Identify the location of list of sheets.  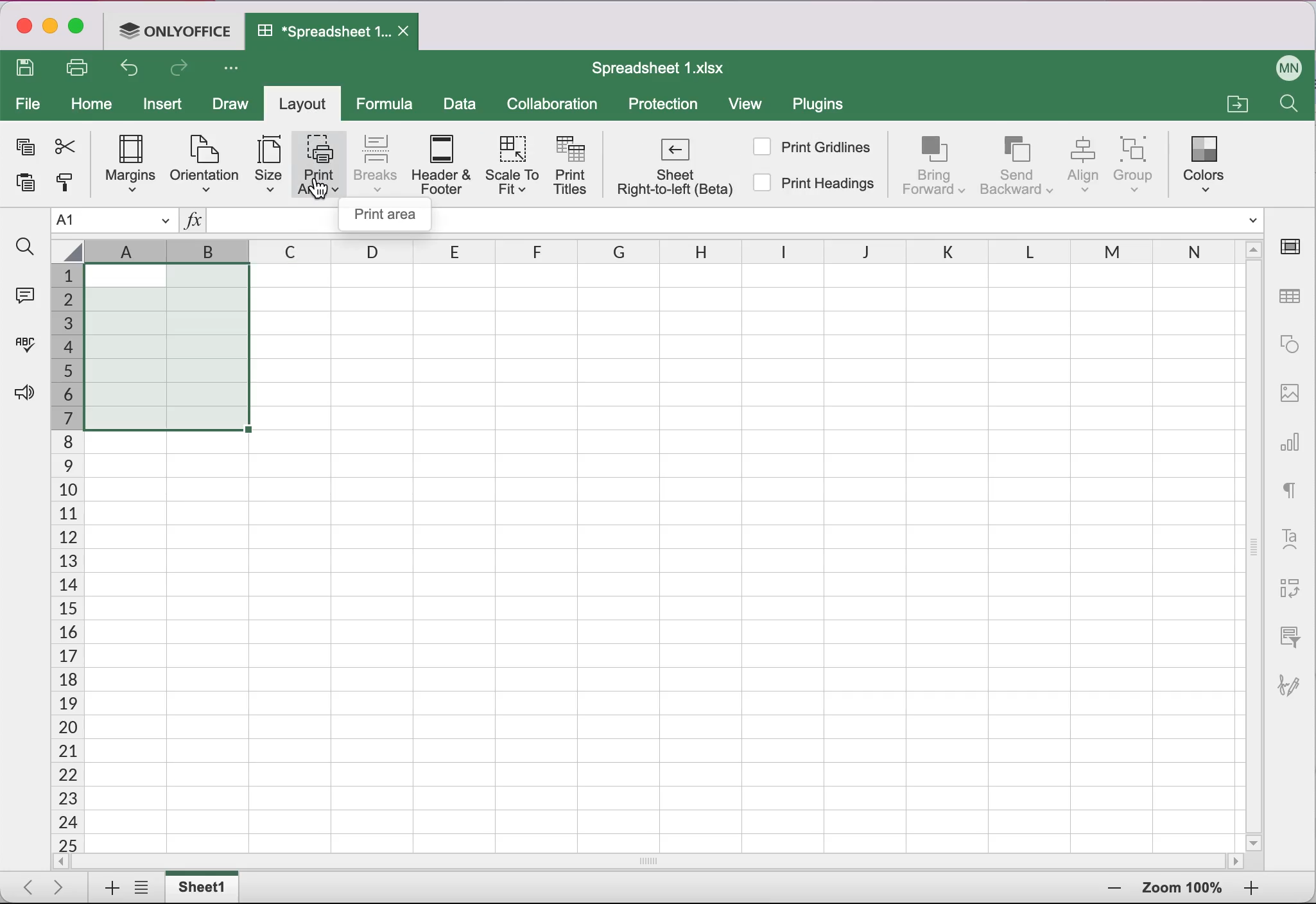
(145, 889).